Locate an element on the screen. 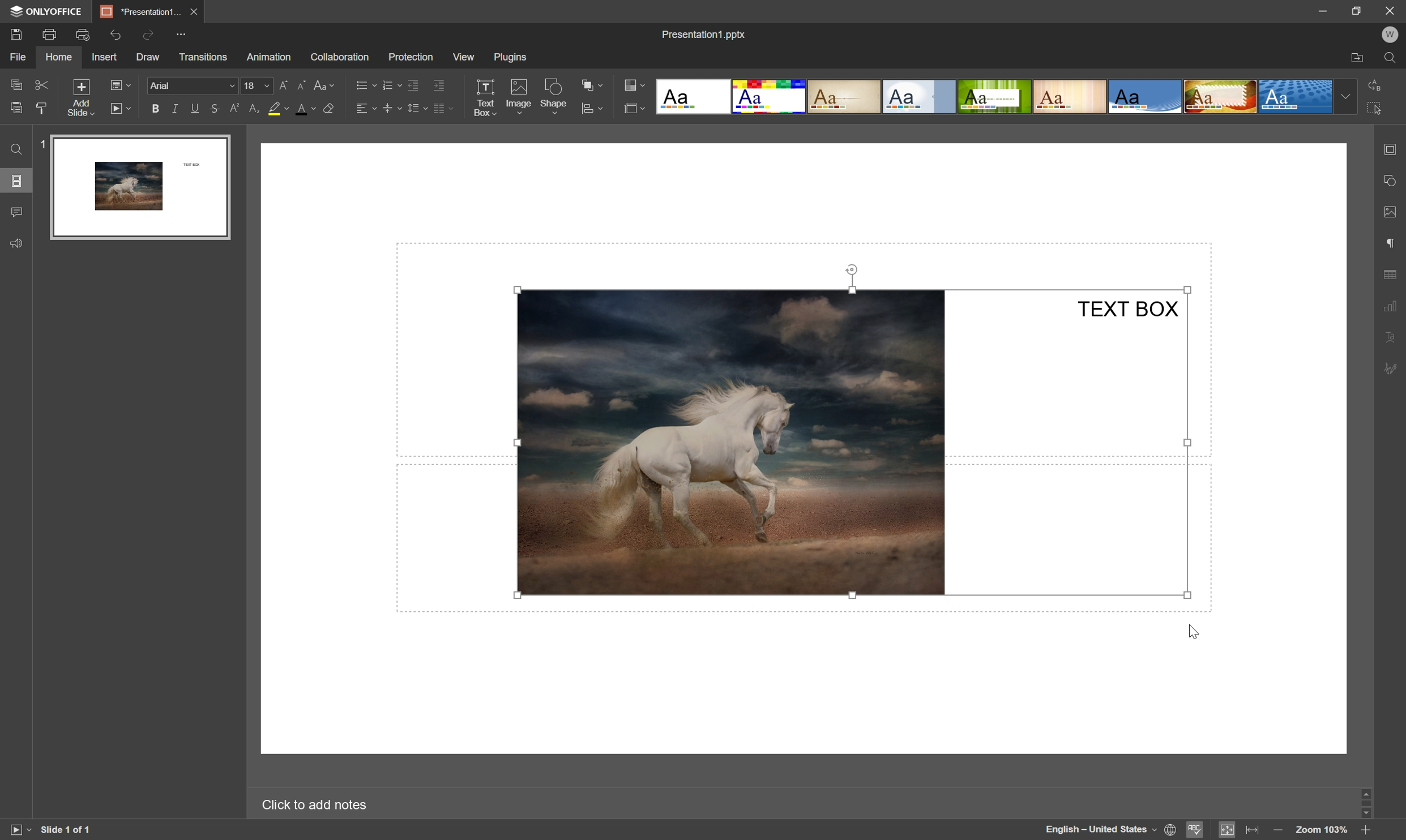  home is located at coordinates (58, 58).